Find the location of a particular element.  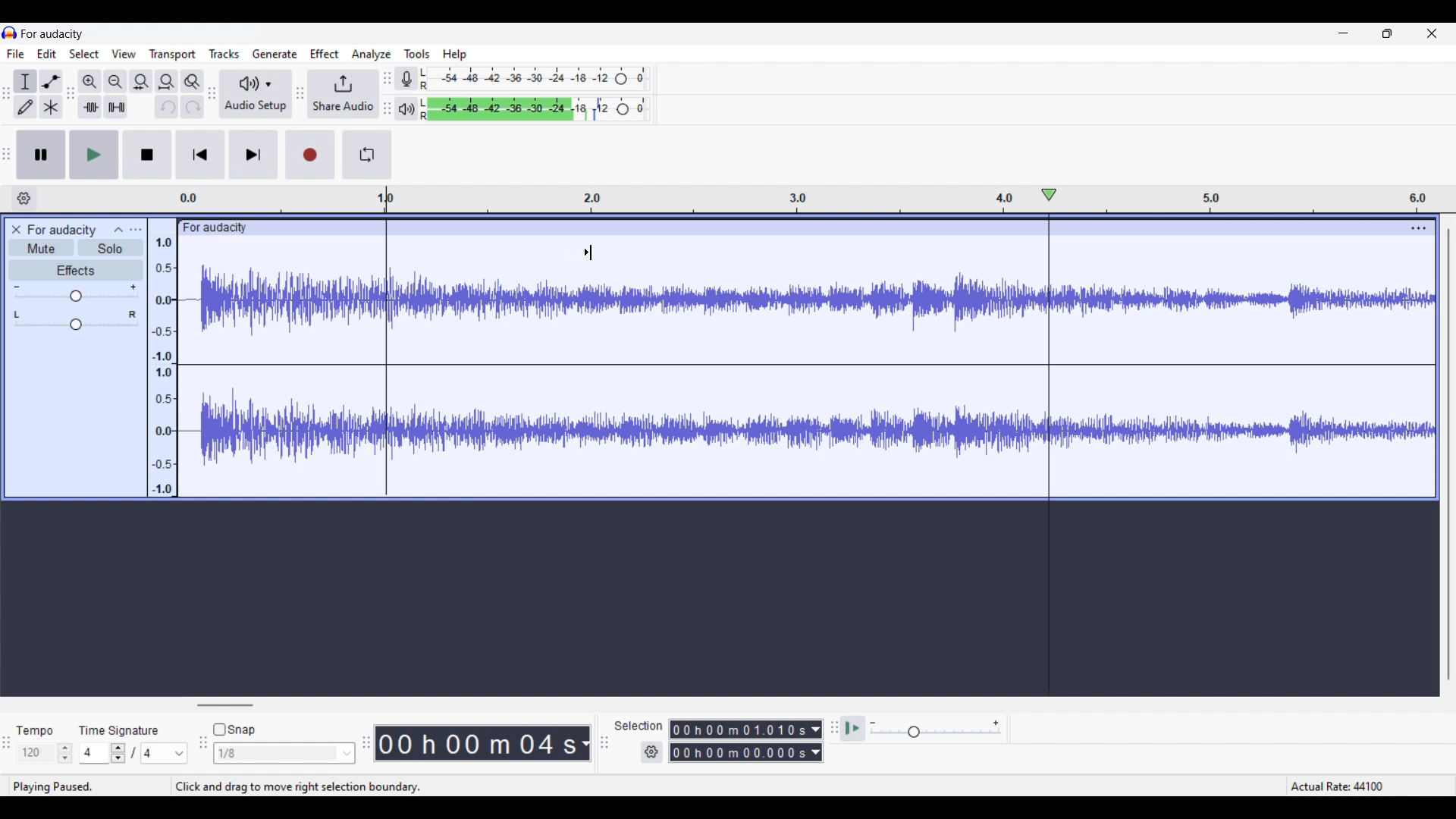

Envelop tool is located at coordinates (52, 82).